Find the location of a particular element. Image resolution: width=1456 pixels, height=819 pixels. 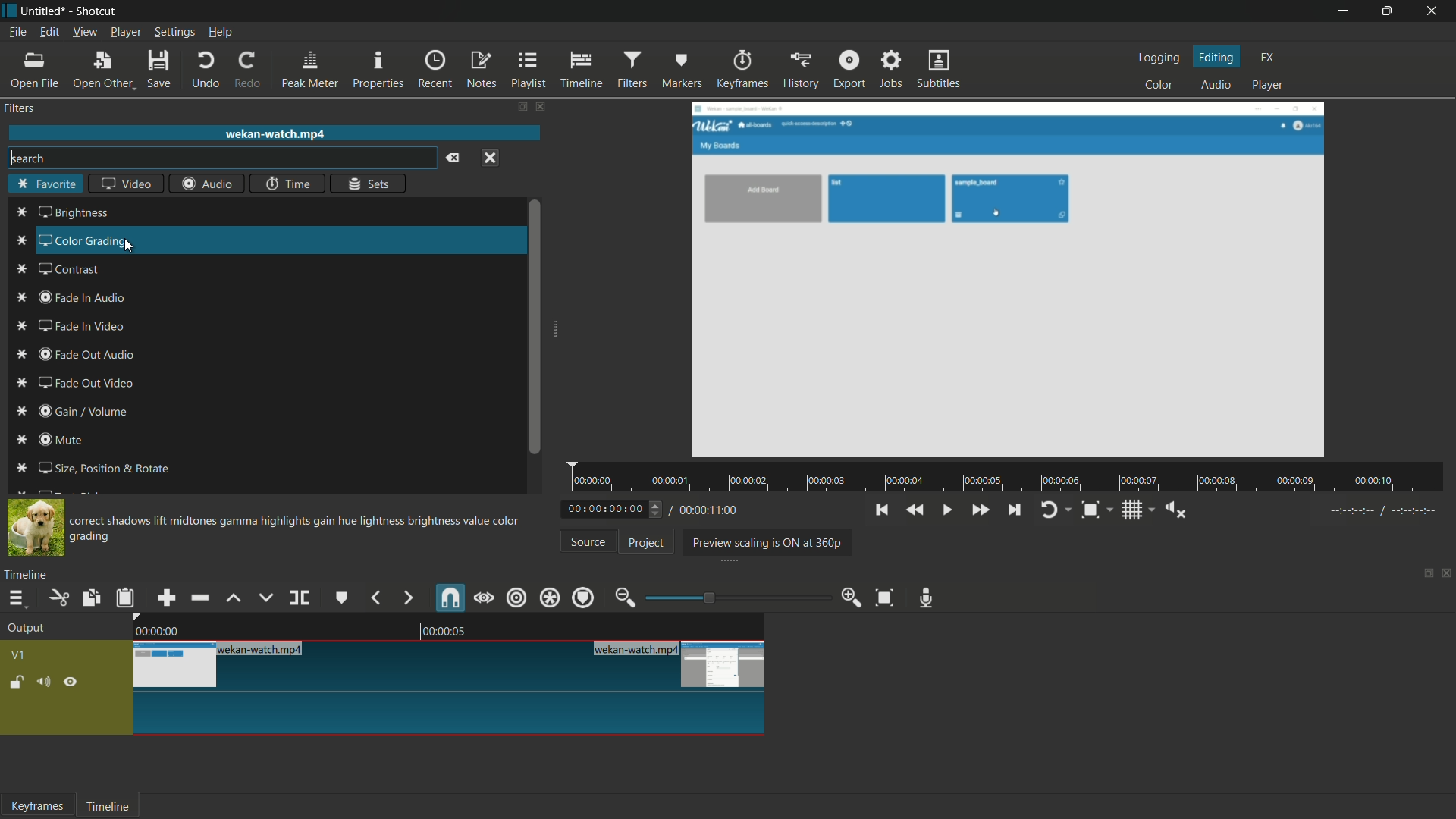

ripple is located at coordinates (516, 598).